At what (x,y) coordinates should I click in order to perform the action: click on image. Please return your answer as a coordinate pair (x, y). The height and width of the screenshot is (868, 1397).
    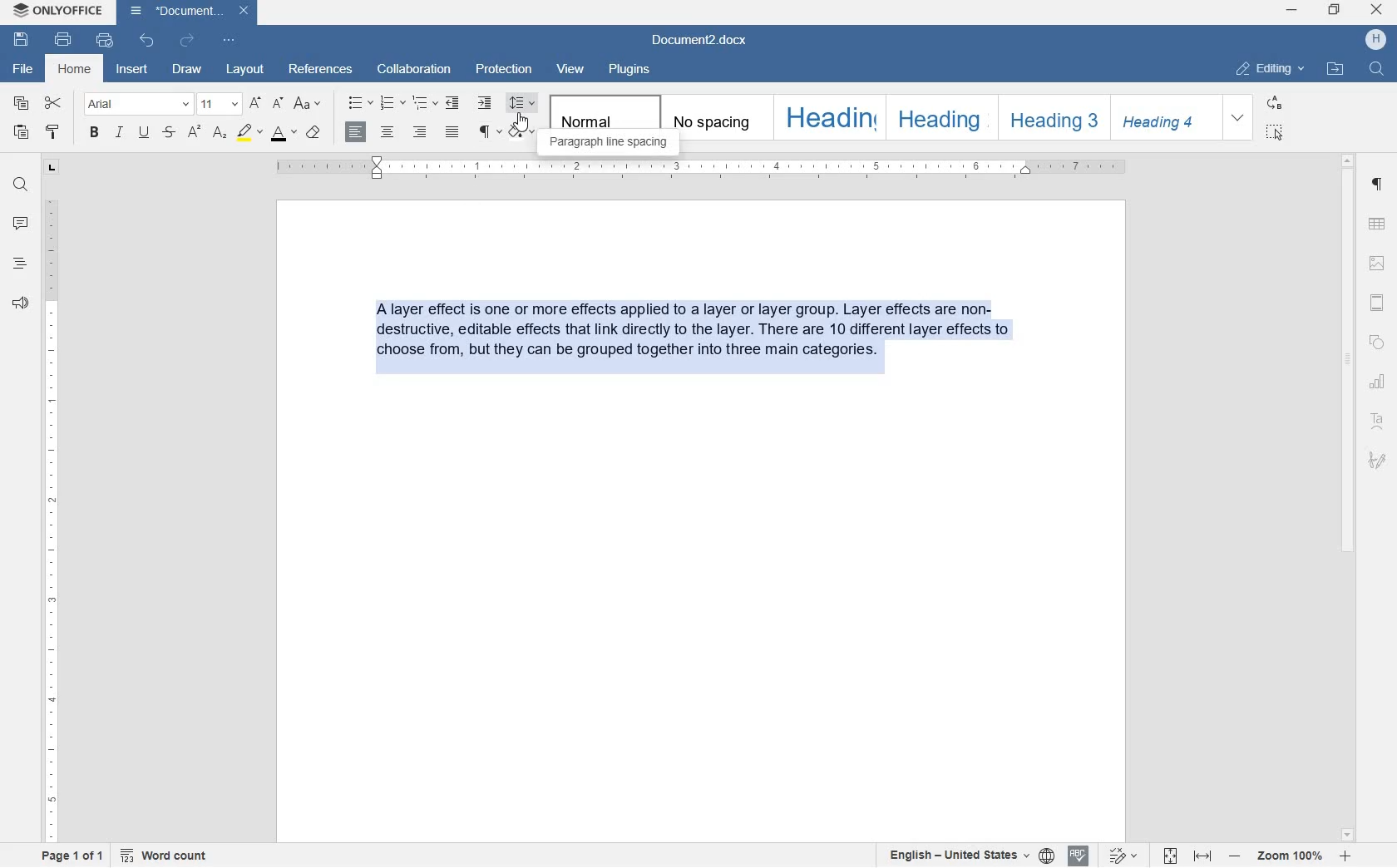
    Looking at the image, I should click on (1377, 263).